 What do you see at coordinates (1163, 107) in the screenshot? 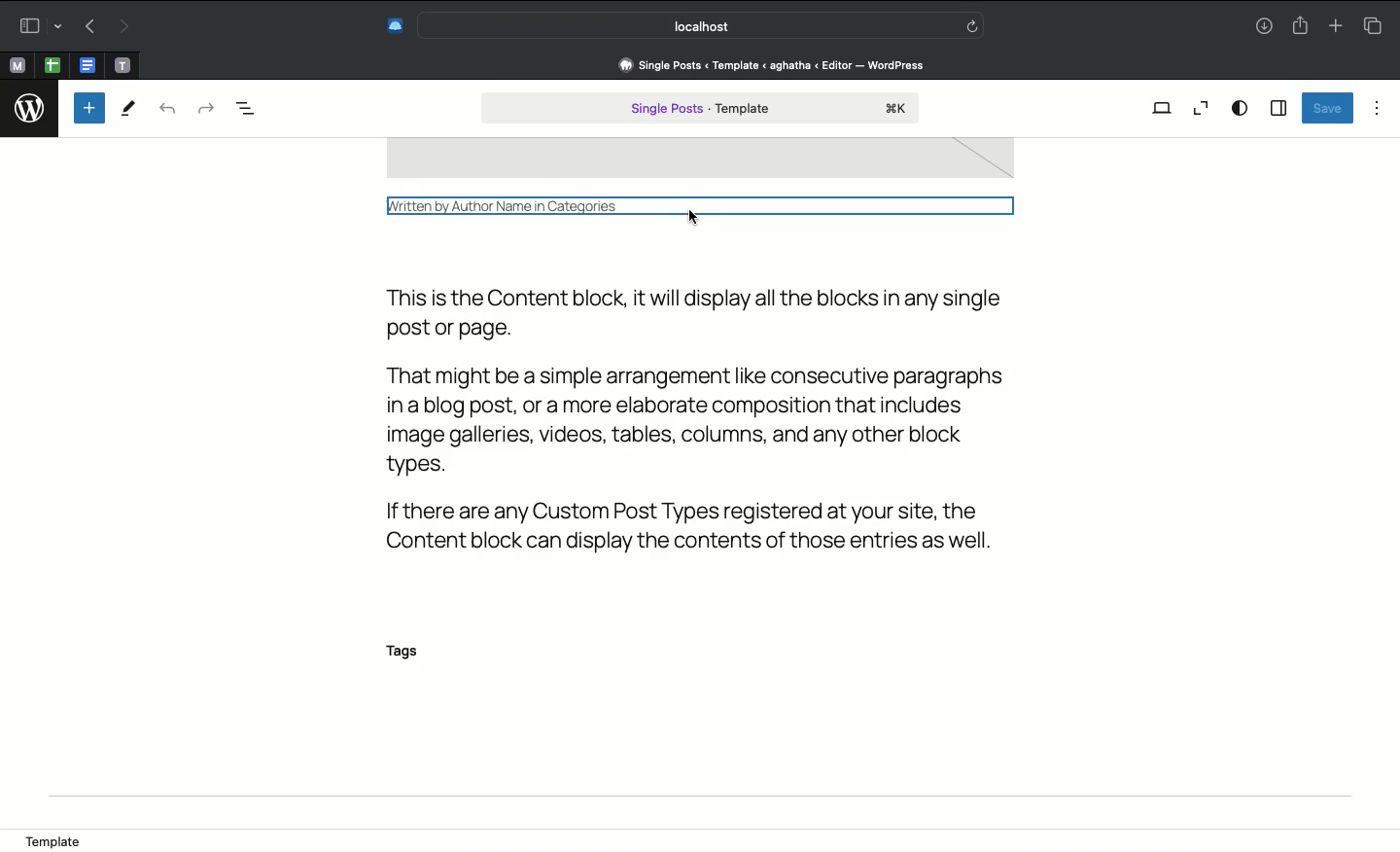
I see `View` at bounding box center [1163, 107].